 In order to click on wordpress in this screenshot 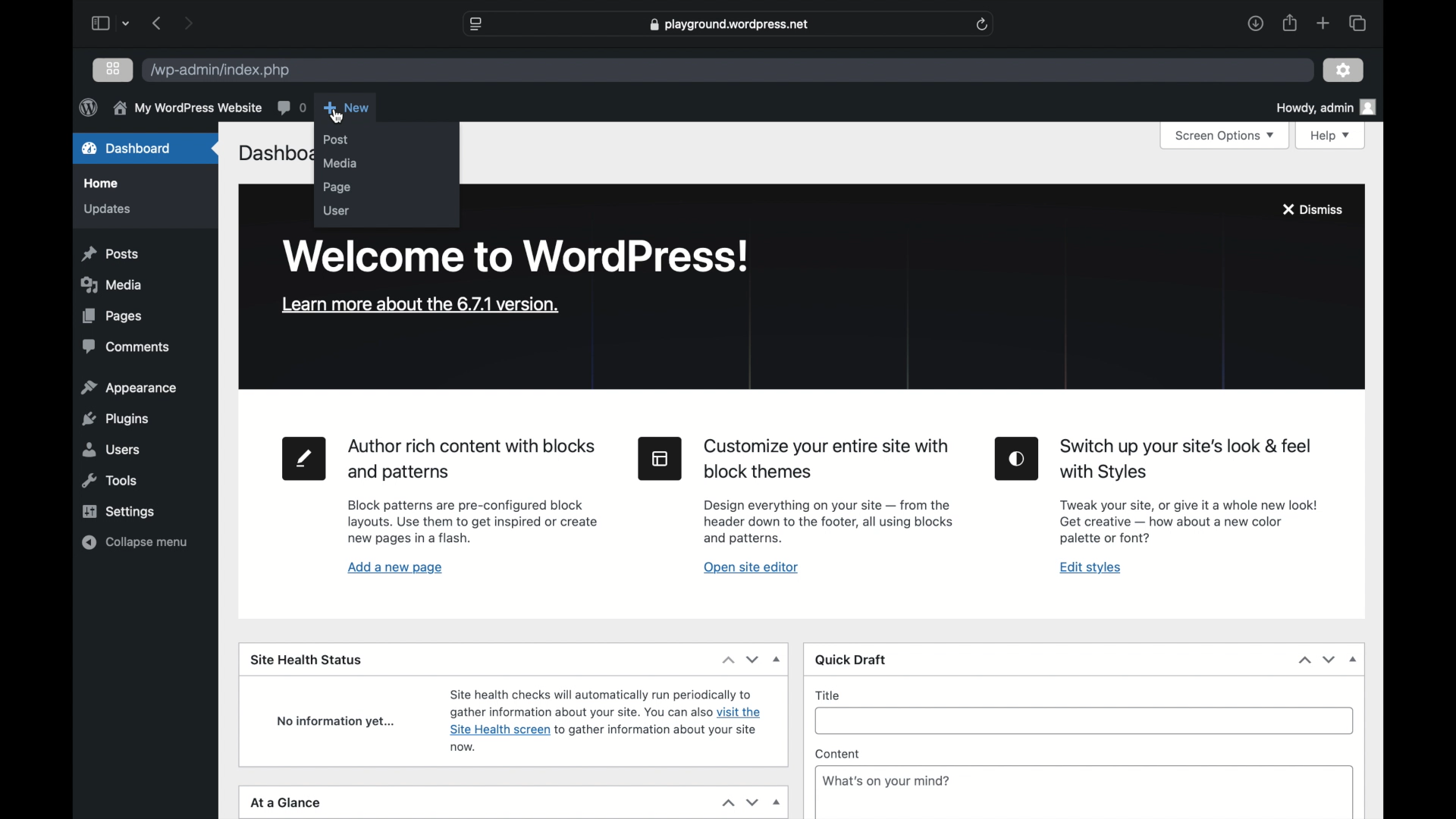, I will do `click(88, 107)`.